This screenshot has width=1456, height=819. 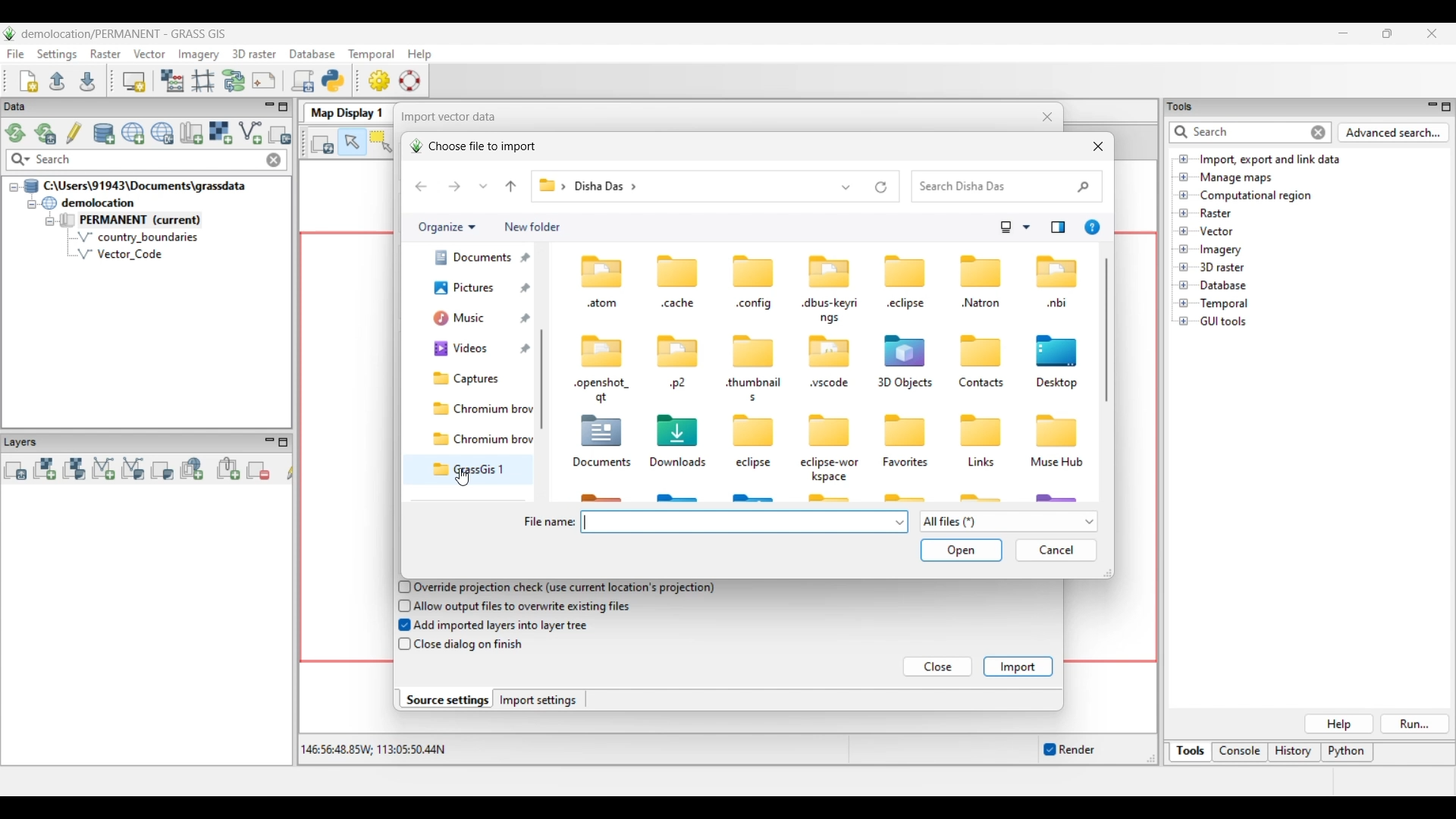 I want to click on icon, so click(x=604, y=349).